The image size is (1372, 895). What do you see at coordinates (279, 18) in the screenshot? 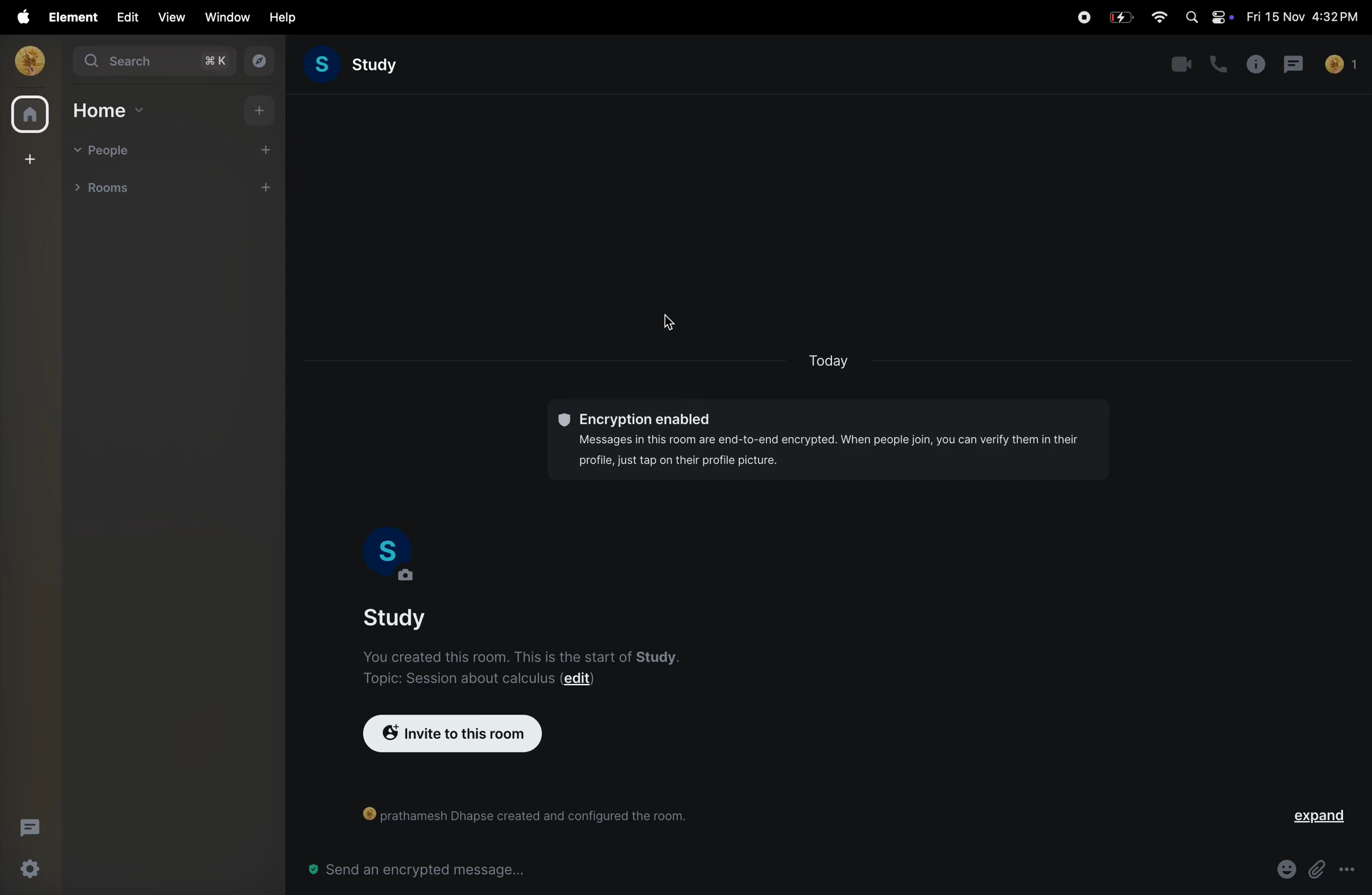
I see `help` at bounding box center [279, 18].